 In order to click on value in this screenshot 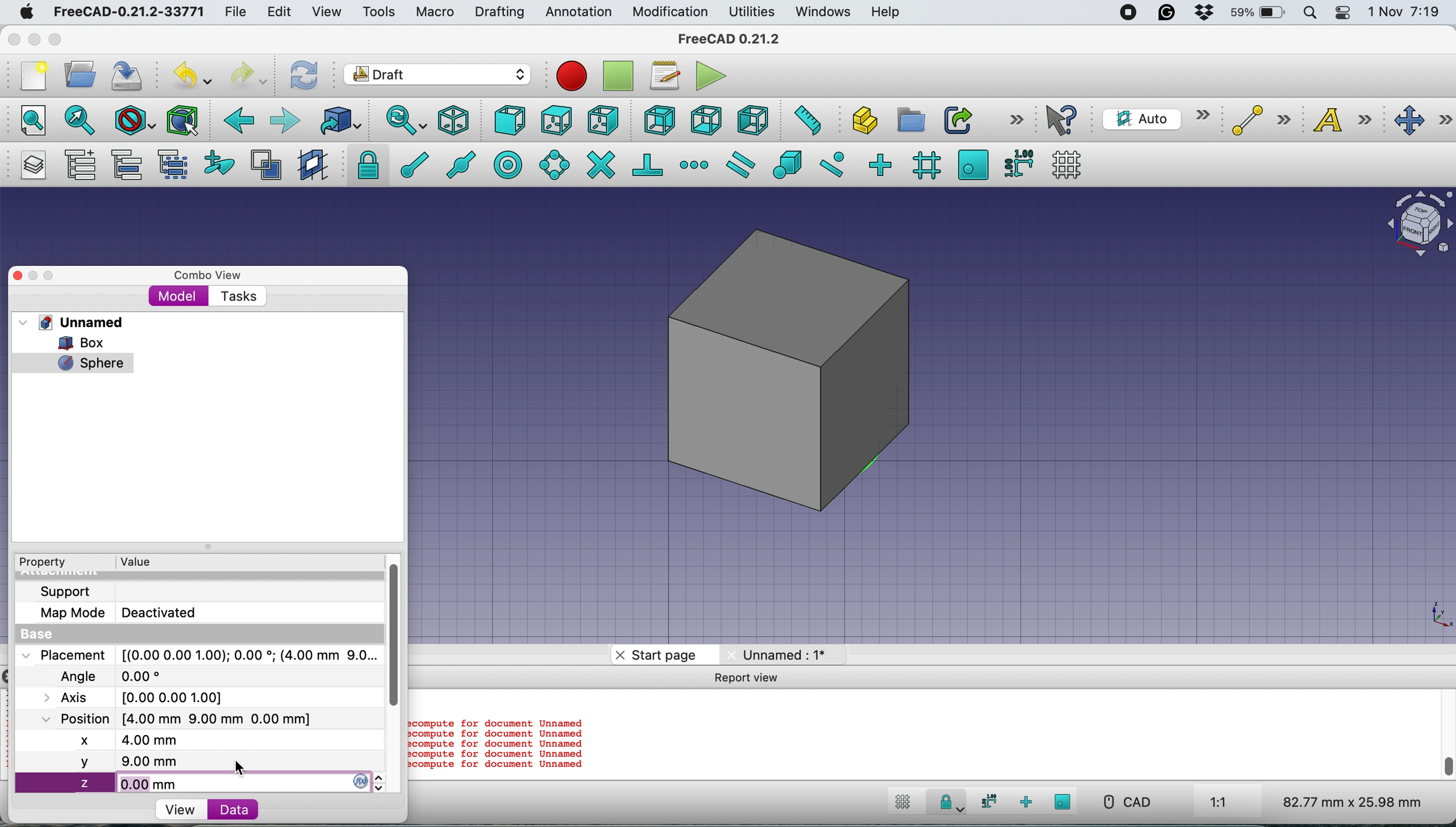, I will do `click(147, 561)`.